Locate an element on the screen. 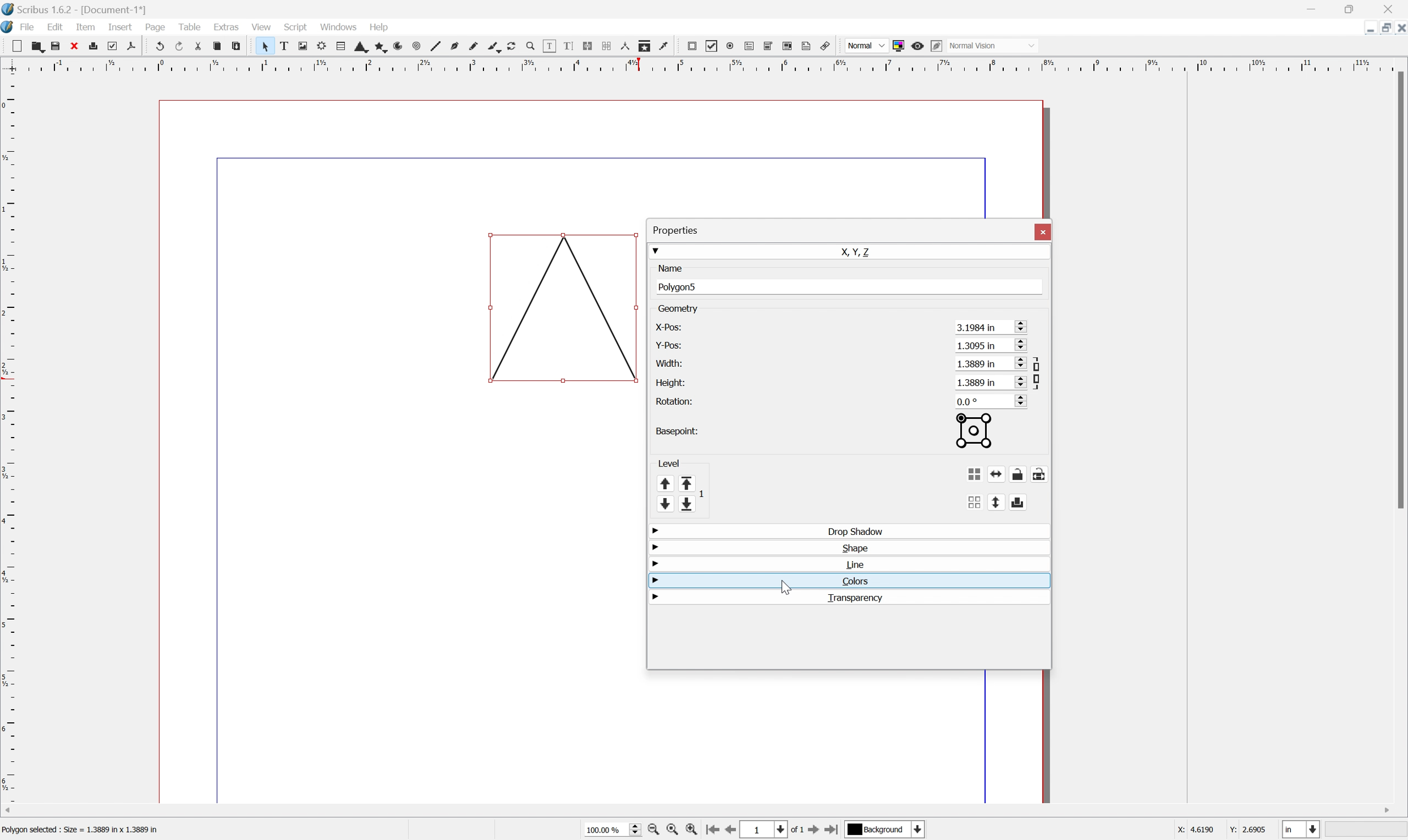 The height and width of the screenshot is (840, 1408). Triangle is located at coordinates (564, 308).